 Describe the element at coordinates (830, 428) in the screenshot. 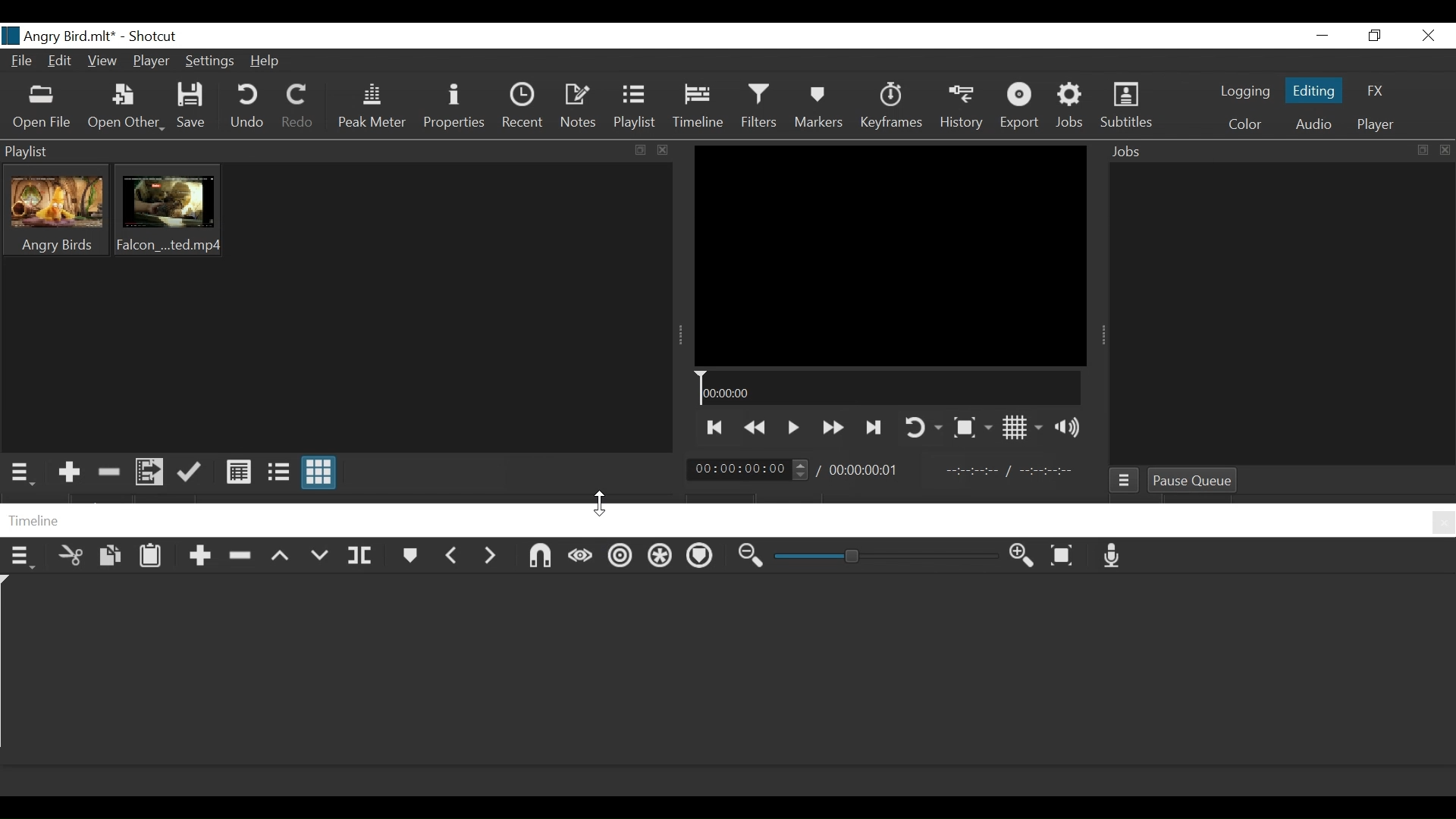

I see `Play quickly forward` at that location.